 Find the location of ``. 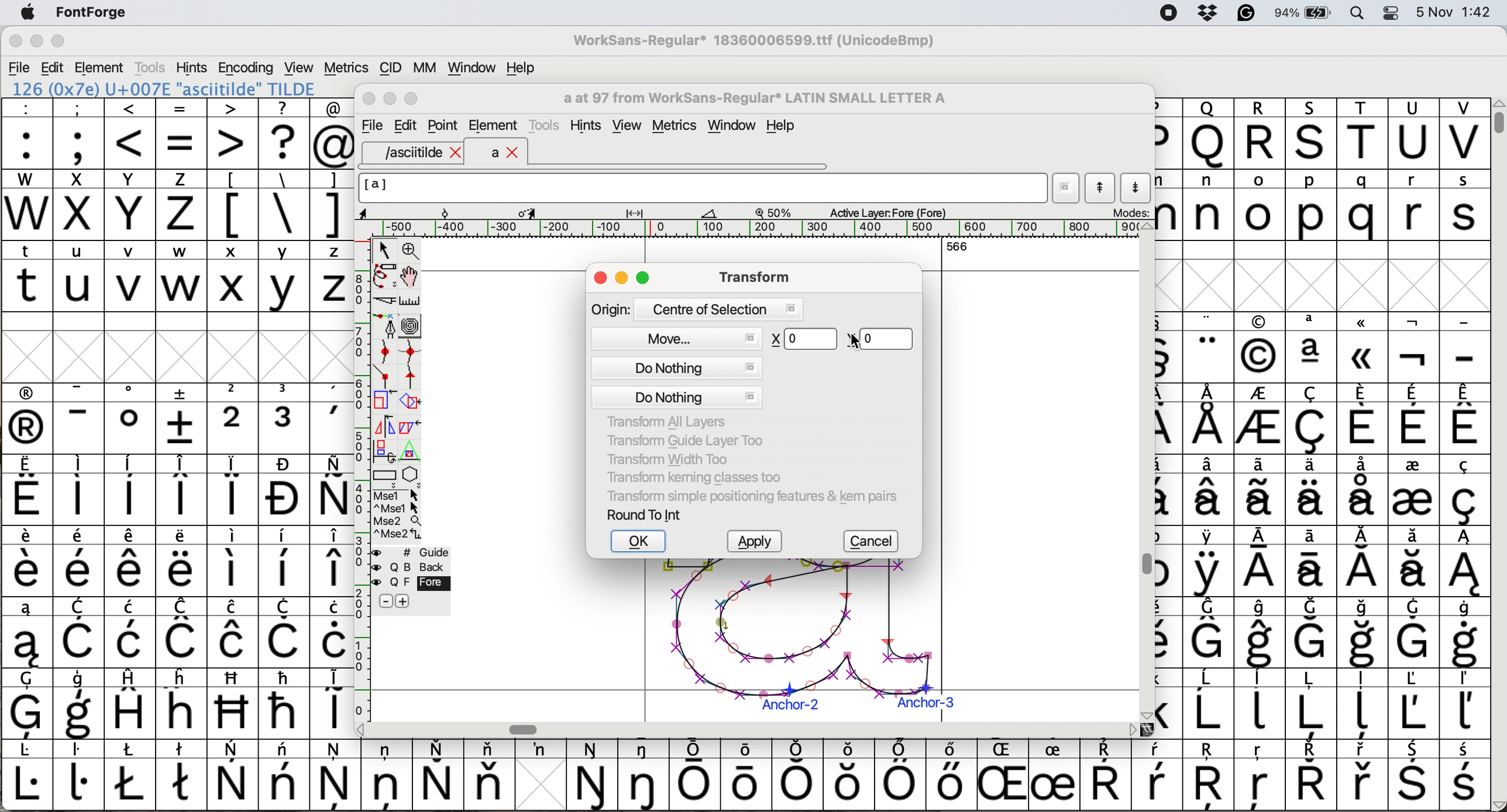

 is located at coordinates (1208, 133).